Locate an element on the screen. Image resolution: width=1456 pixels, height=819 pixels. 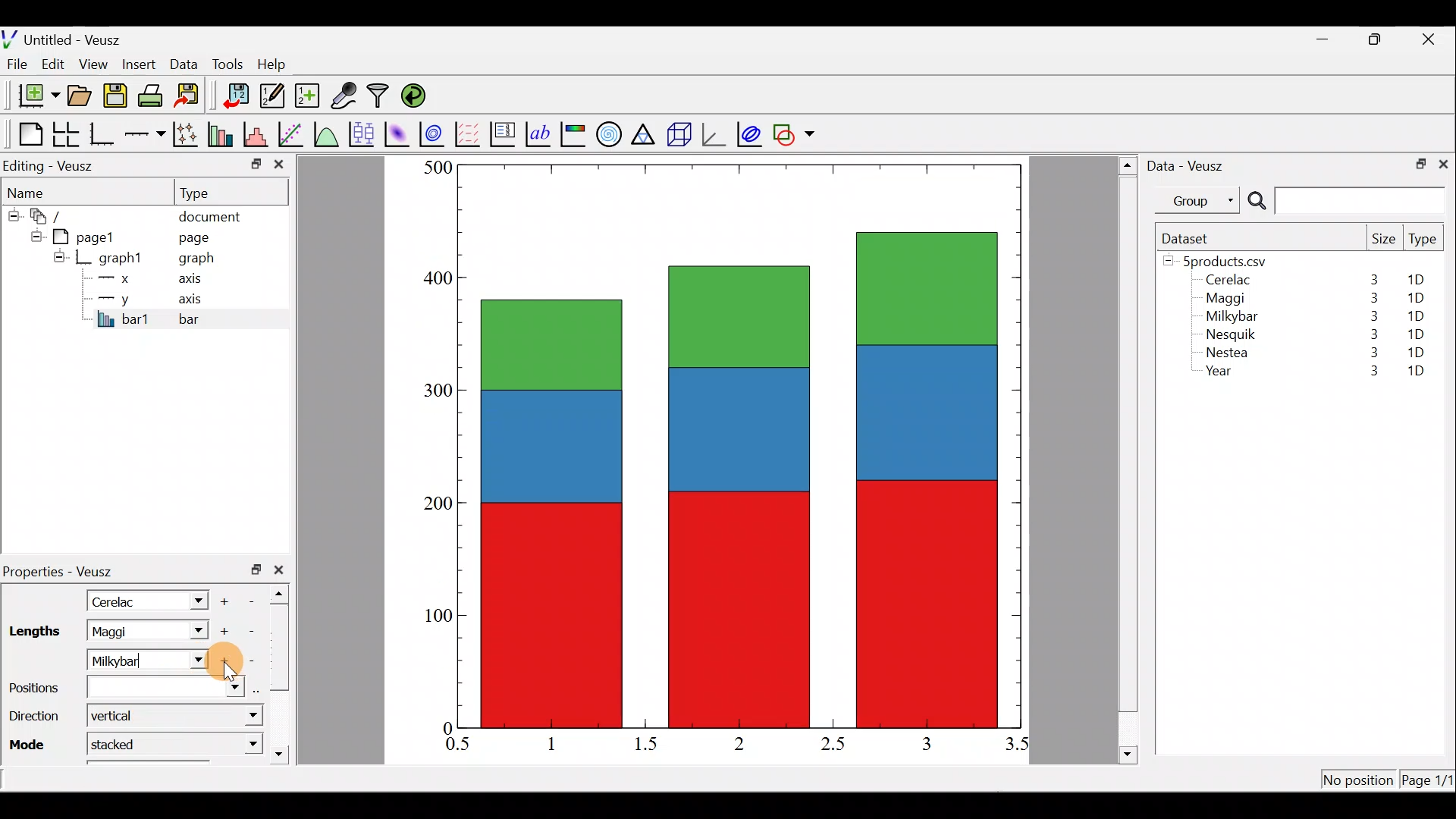
New document is located at coordinates (33, 96).